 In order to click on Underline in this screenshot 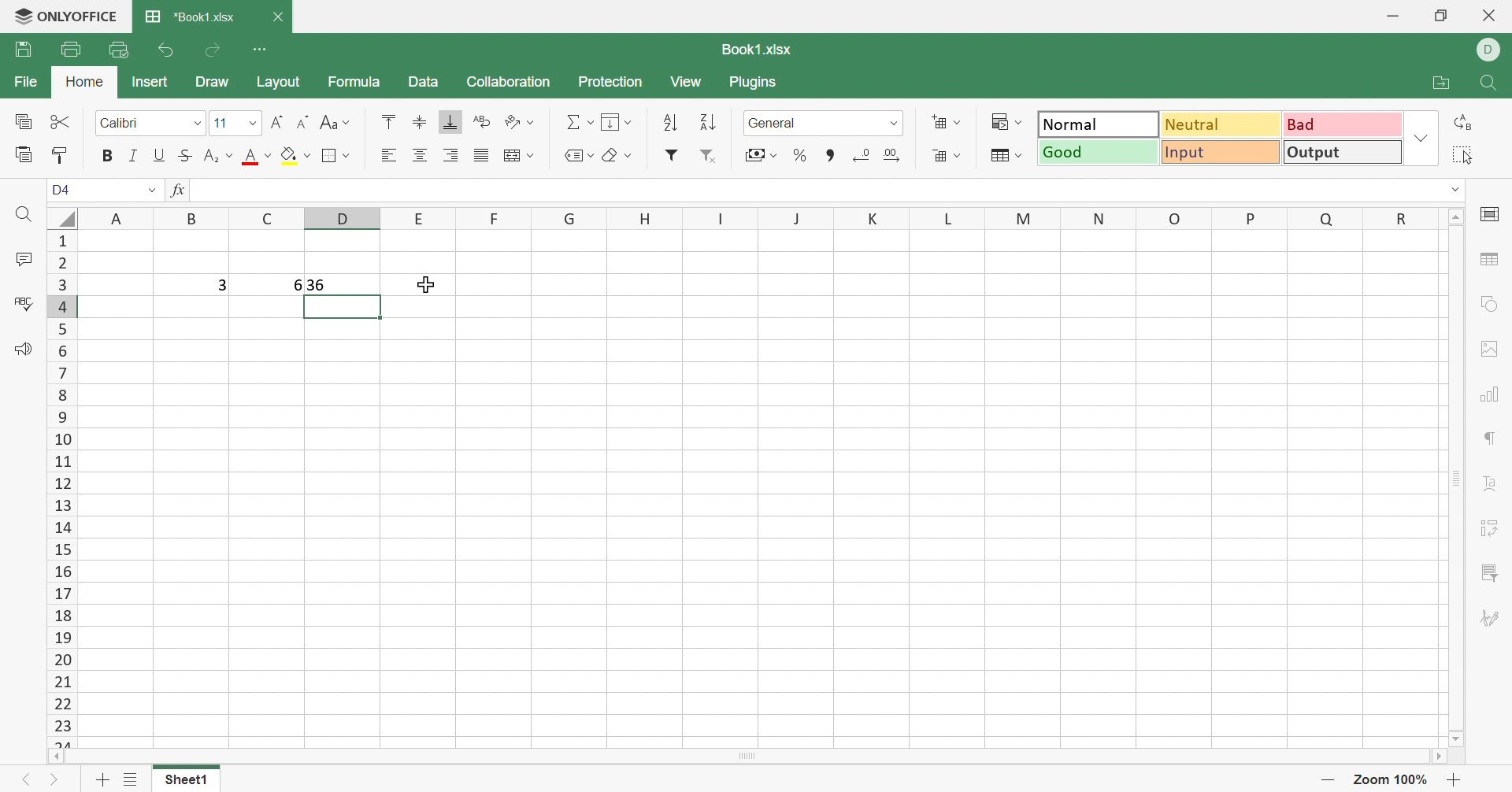, I will do `click(160, 157)`.